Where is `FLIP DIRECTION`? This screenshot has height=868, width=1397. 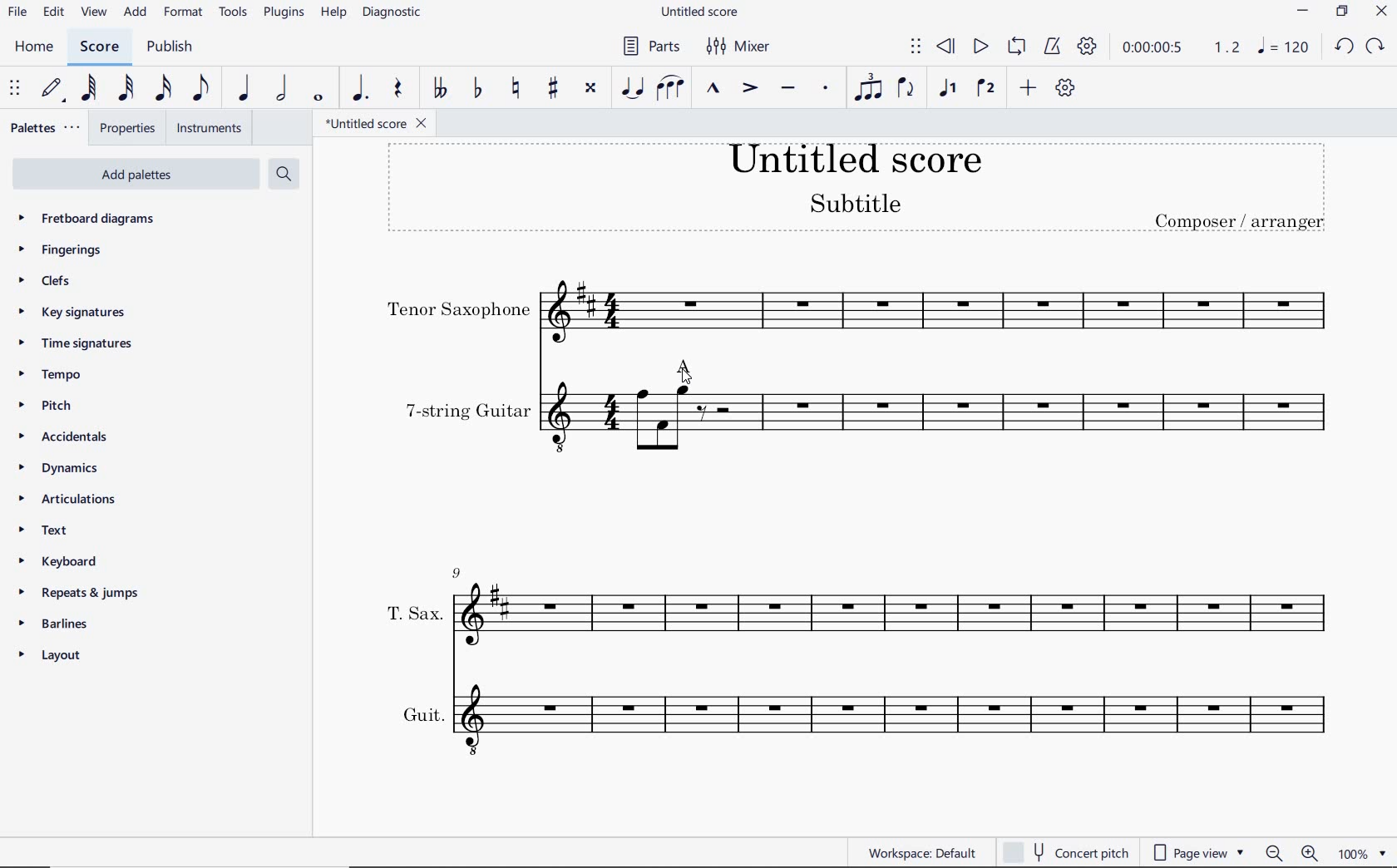 FLIP DIRECTION is located at coordinates (907, 89).